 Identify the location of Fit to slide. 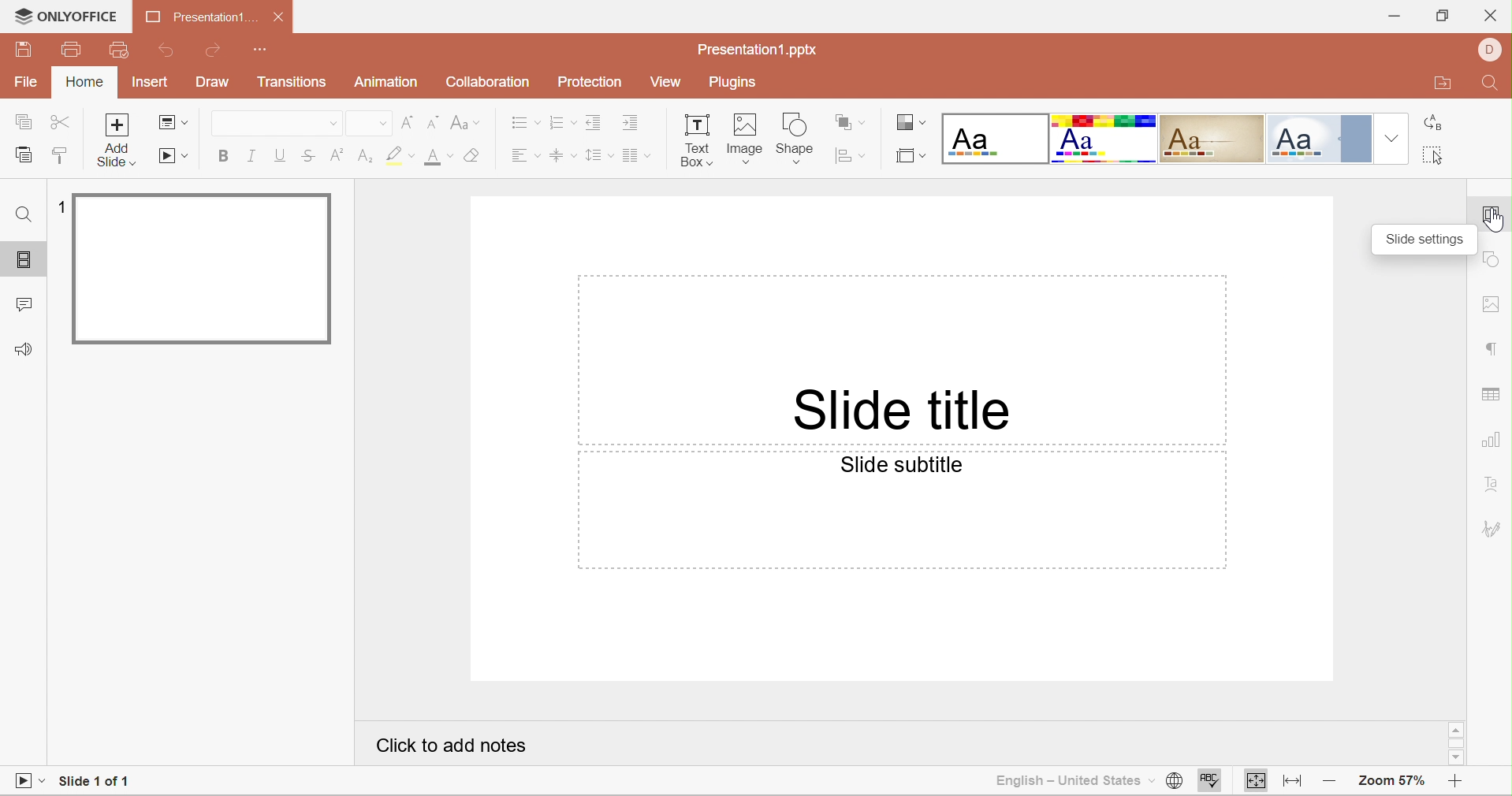
(1257, 781).